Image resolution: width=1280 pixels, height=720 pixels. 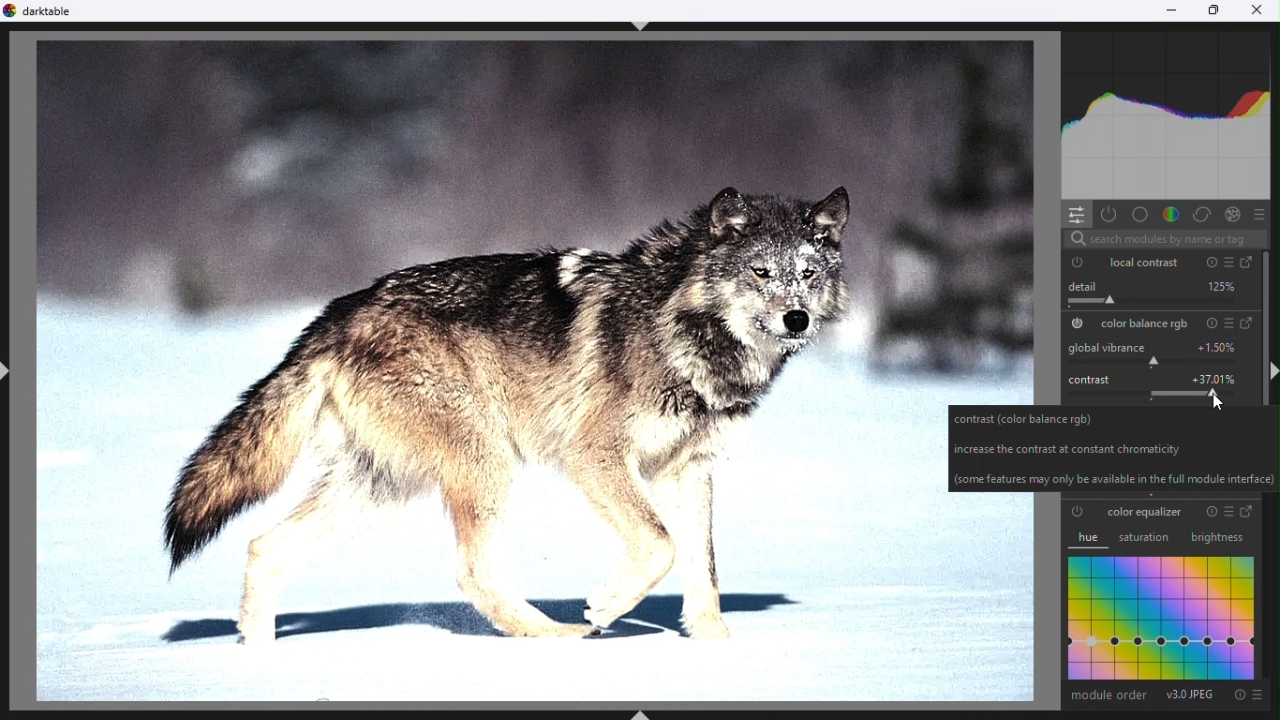 What do you see at coordinates (1066, 449) in the screenshot?
I see `increase the contrast at constant chromaticity` at bounding box center [1066, 449].